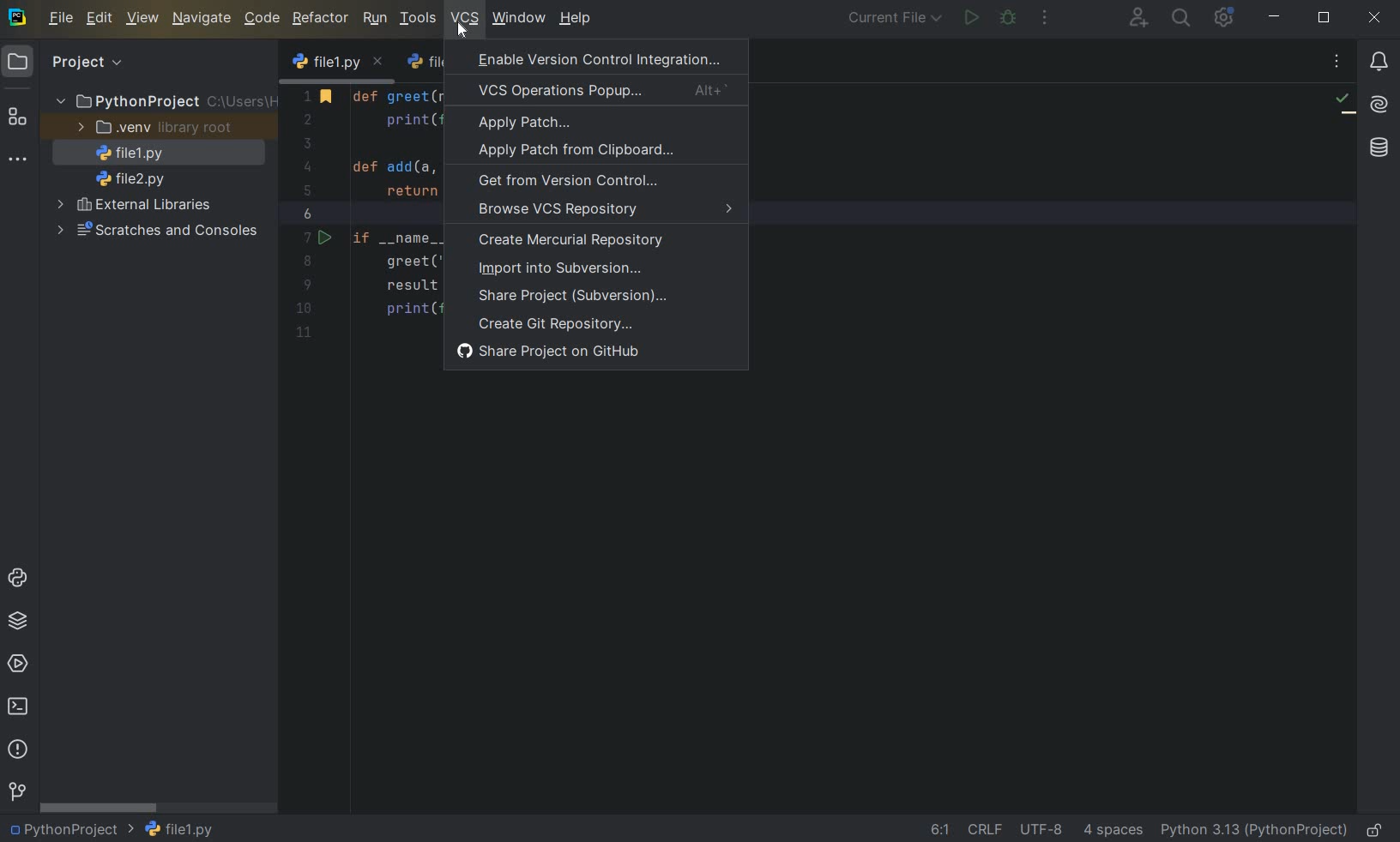  What do you see at coordinates (1043, 19) in the screenshot?
I see `more actions` at bounding box center [1043, 19].